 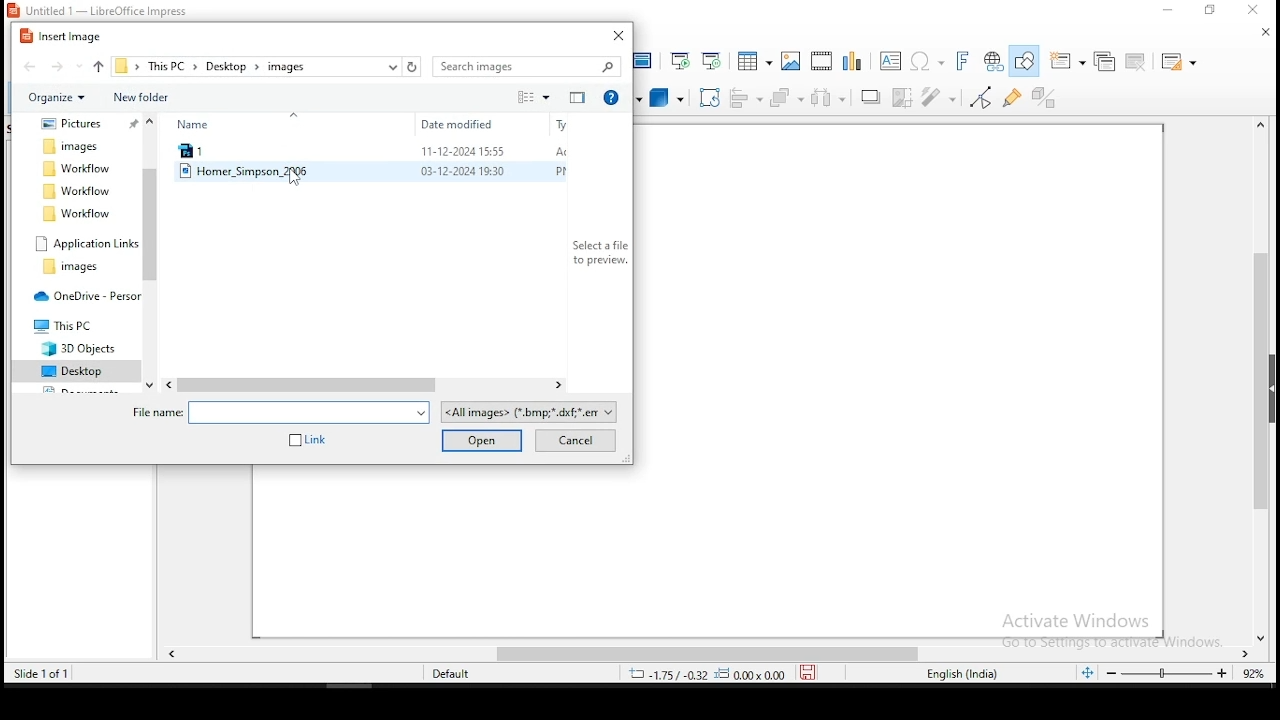 I want to click on scroll bar, so click(x=711, y=654).